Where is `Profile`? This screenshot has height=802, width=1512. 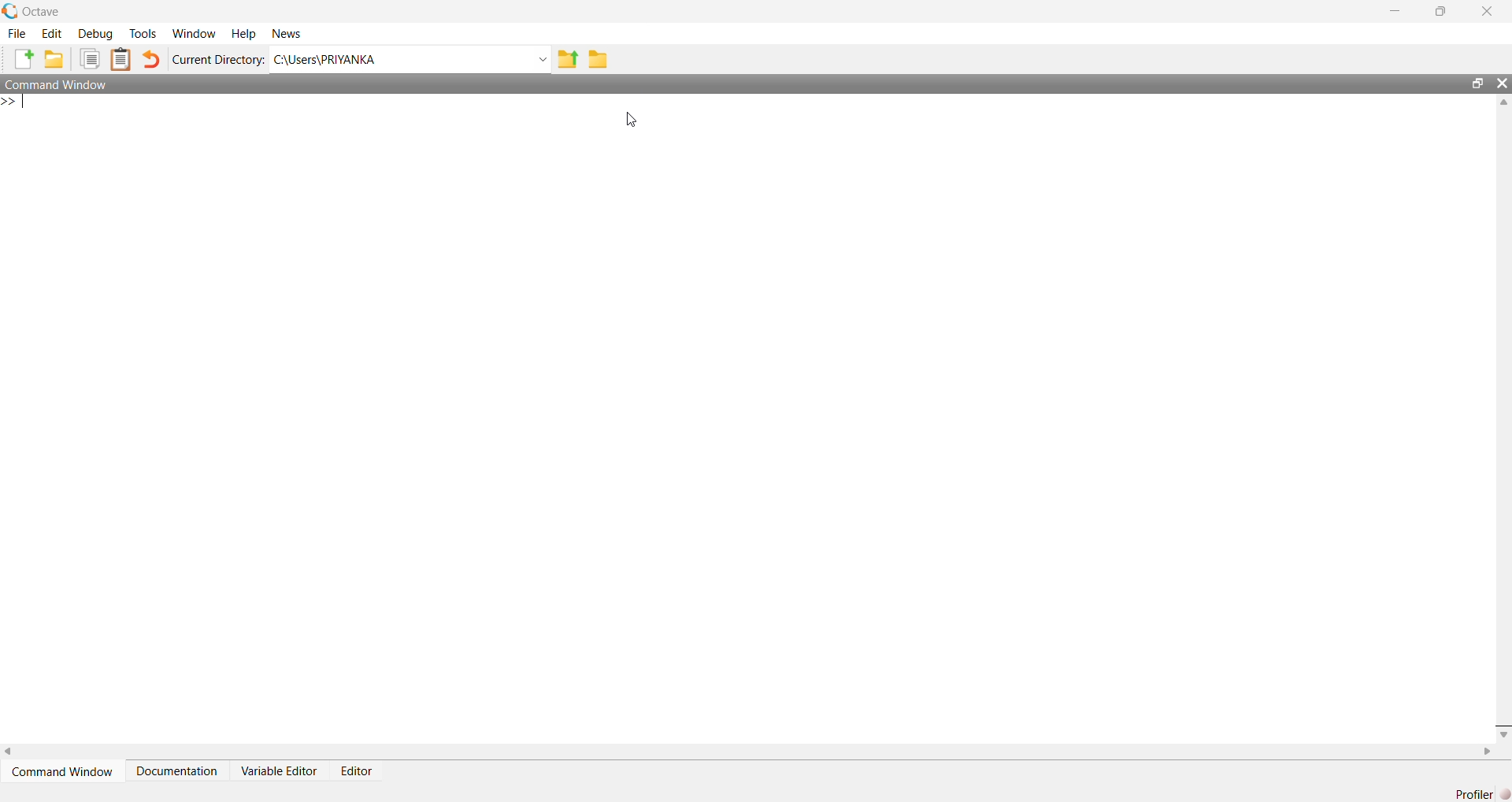 Profile is located at coordinates (1480, 794).